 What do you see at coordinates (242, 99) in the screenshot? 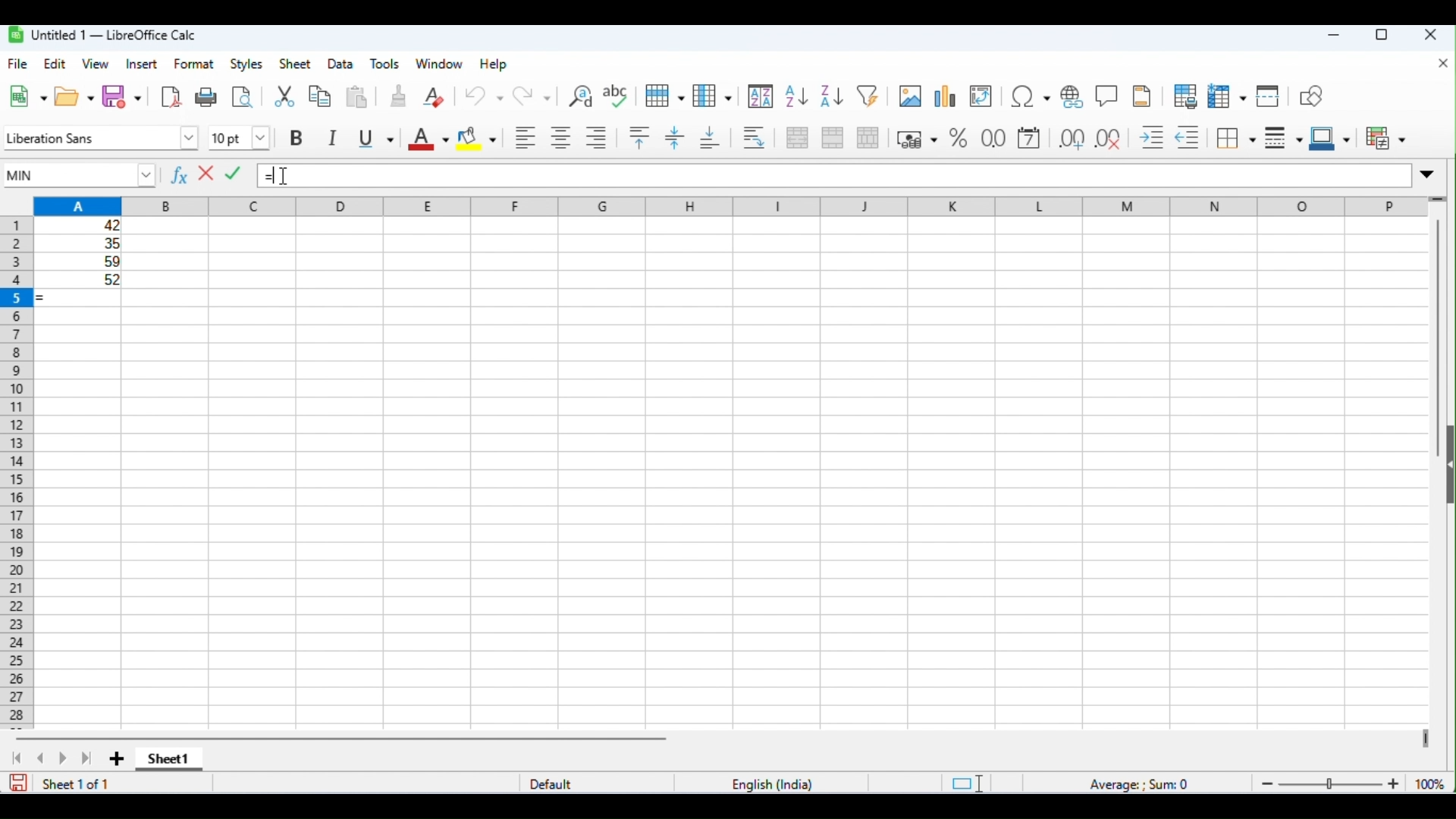
I see `toggle print preview` at bounding box center [242, 99].